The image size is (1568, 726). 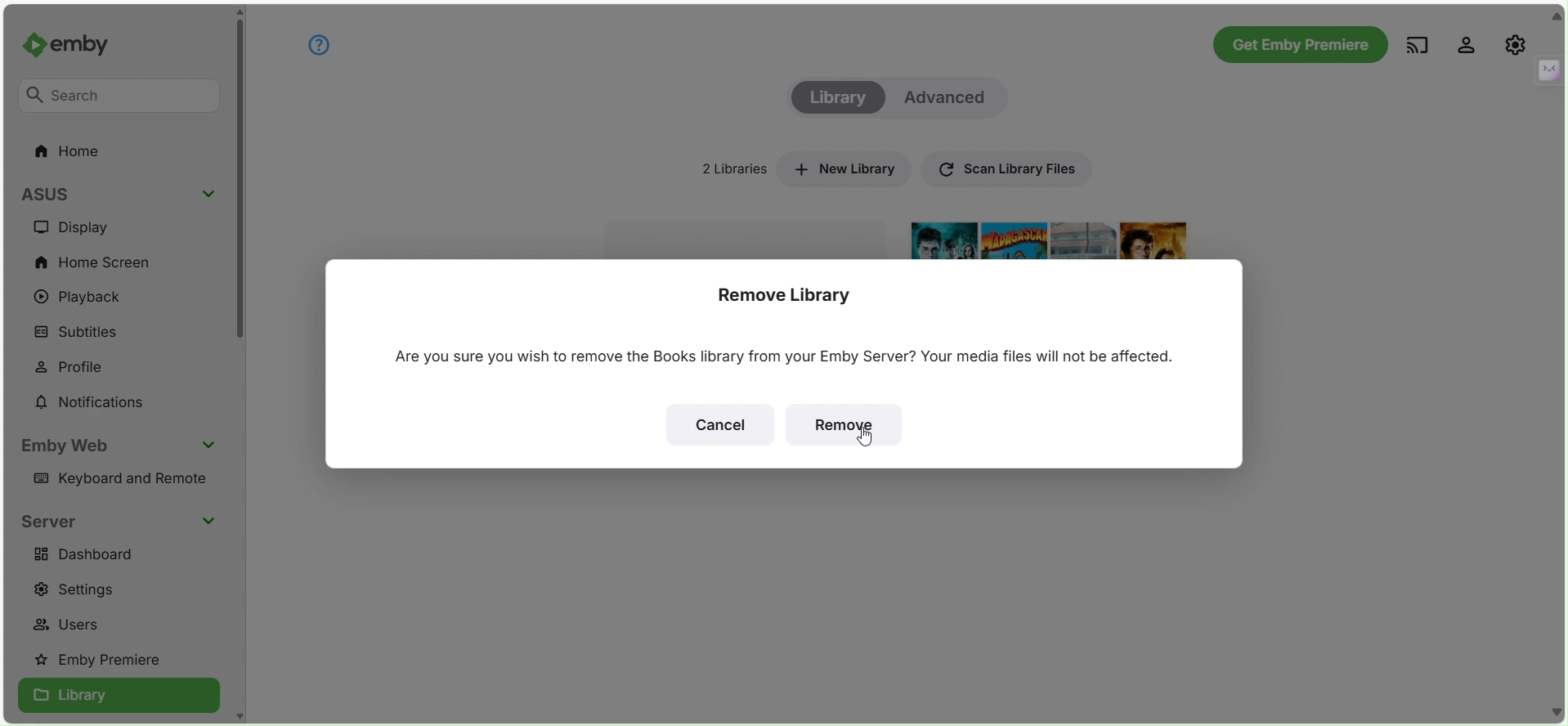 I want to click on Emby Premiere, so click(x=105, y=661).